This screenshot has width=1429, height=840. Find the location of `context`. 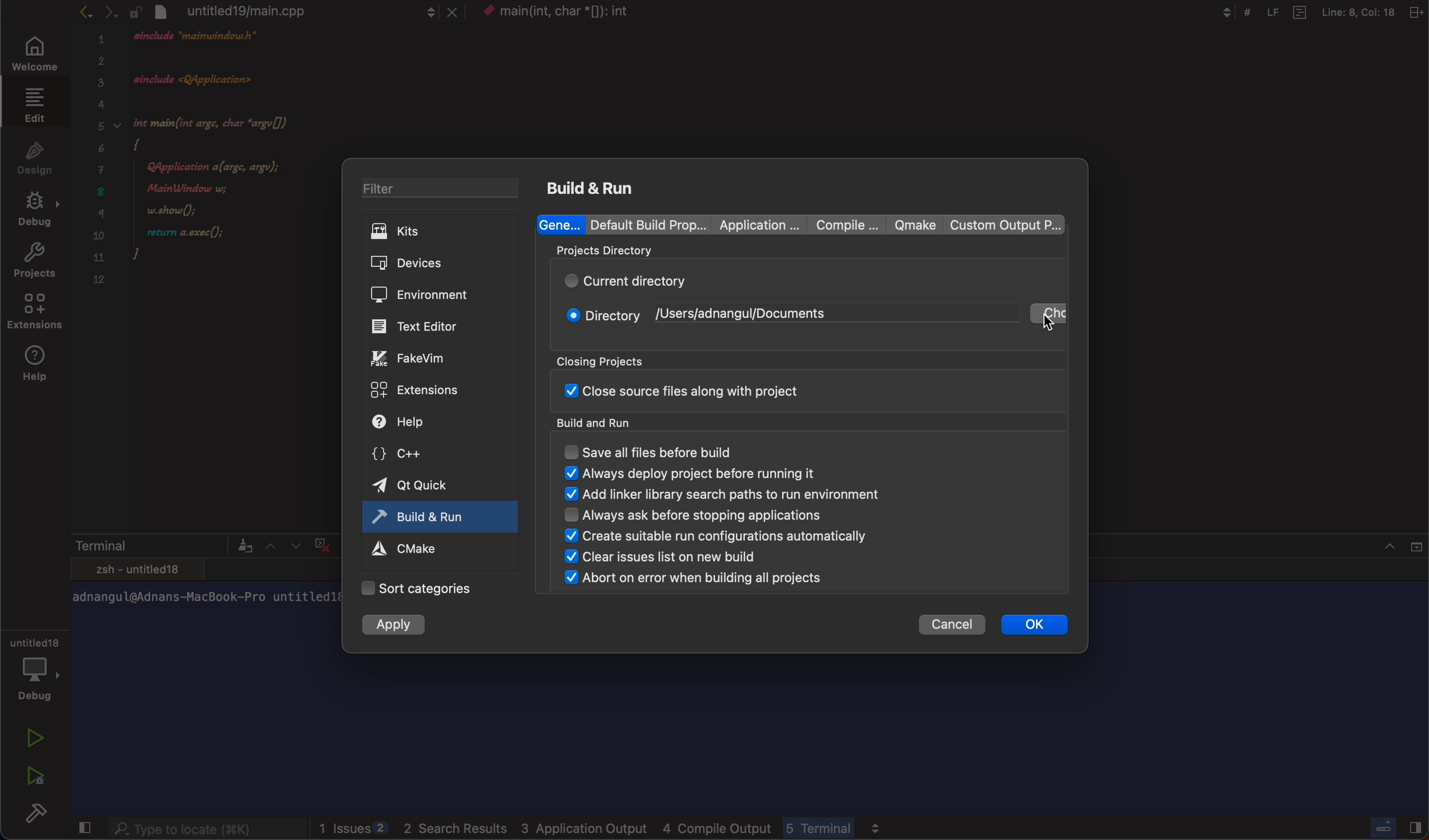

context is located at coordinates (579, 12).